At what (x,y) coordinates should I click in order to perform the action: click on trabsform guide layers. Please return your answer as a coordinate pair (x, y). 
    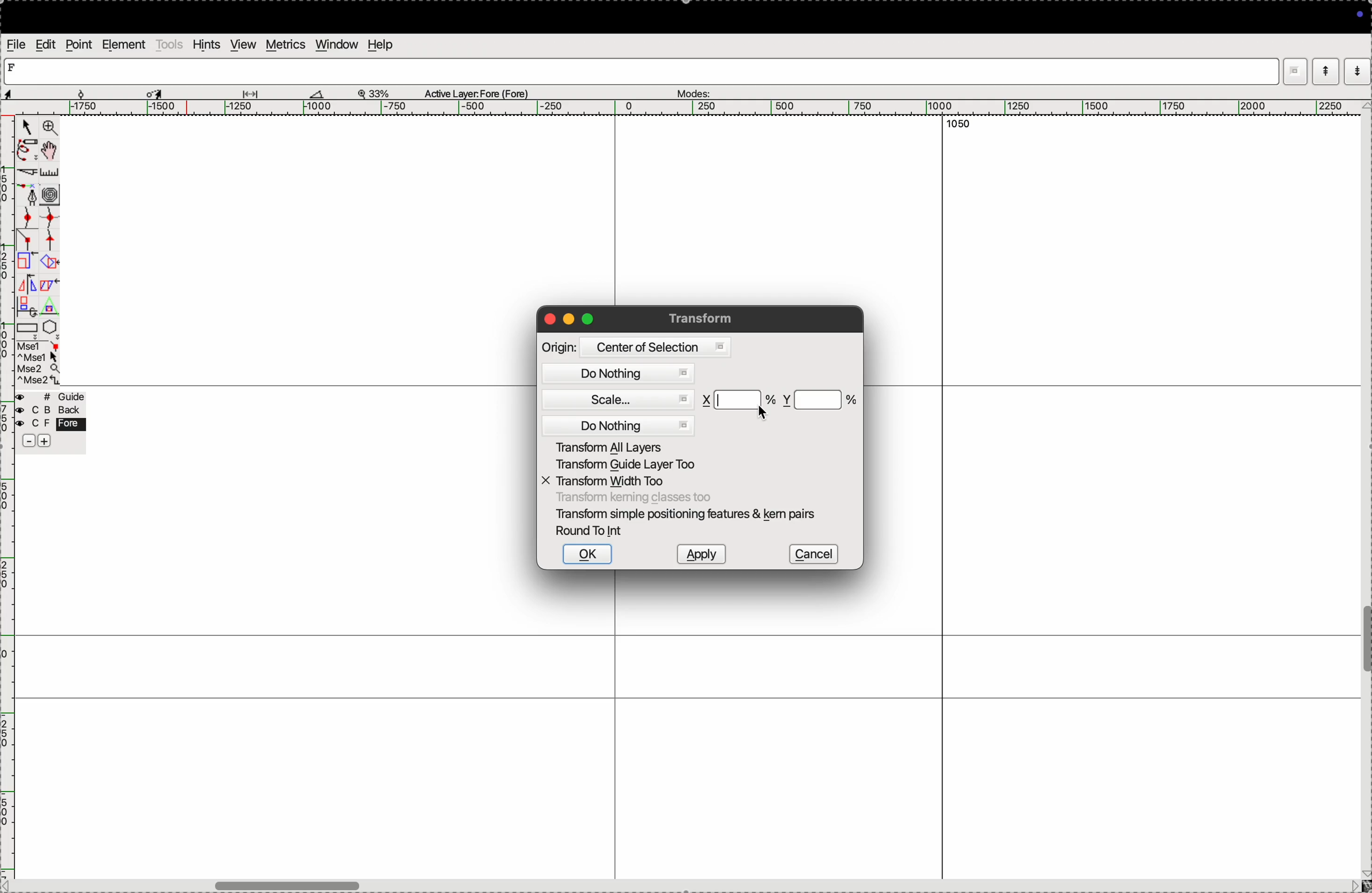
    Looking at the image, I should click on (624, 466).